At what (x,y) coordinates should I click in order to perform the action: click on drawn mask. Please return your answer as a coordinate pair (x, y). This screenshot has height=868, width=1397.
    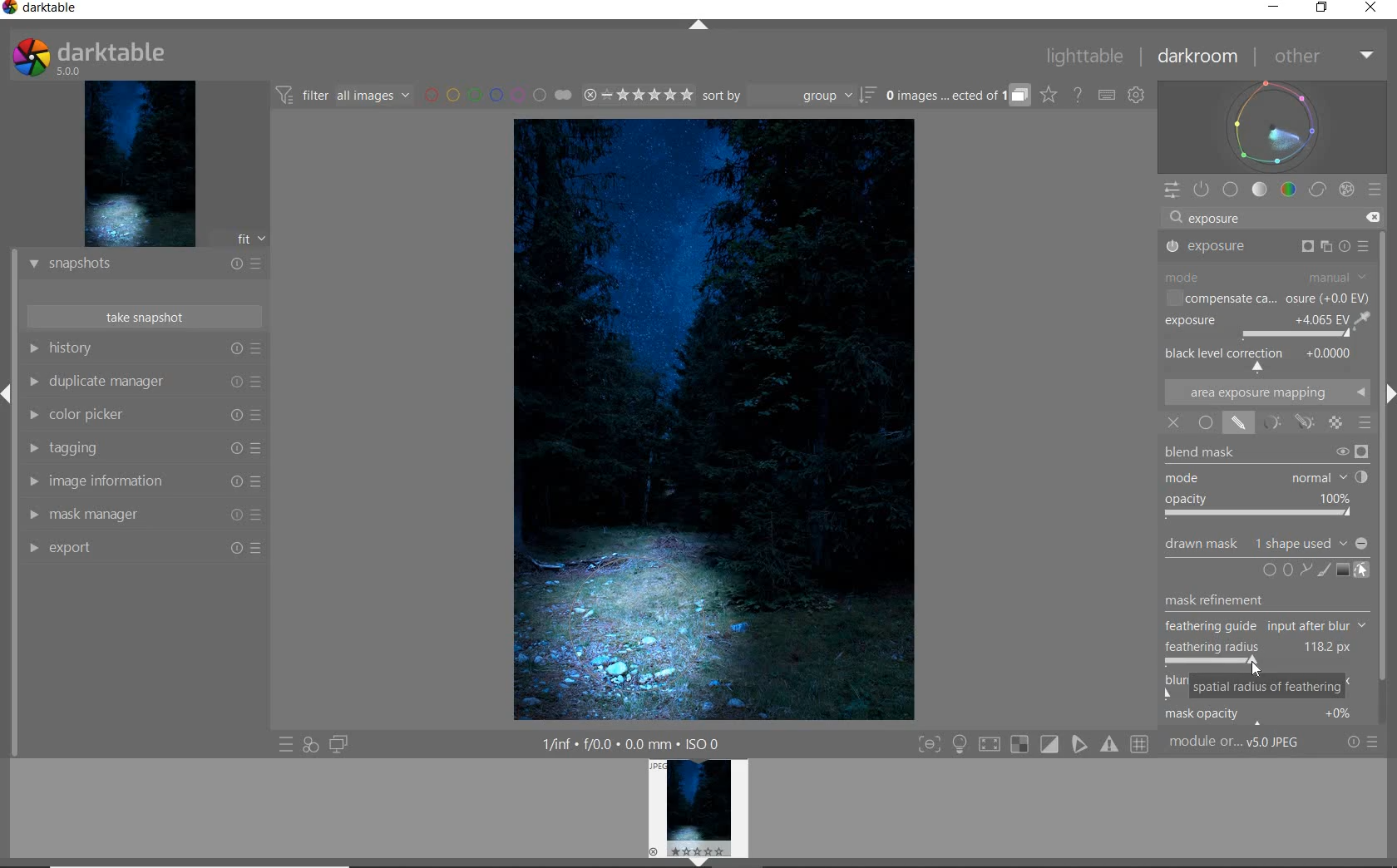
    Looking at the image, I should click on (1261, 544).